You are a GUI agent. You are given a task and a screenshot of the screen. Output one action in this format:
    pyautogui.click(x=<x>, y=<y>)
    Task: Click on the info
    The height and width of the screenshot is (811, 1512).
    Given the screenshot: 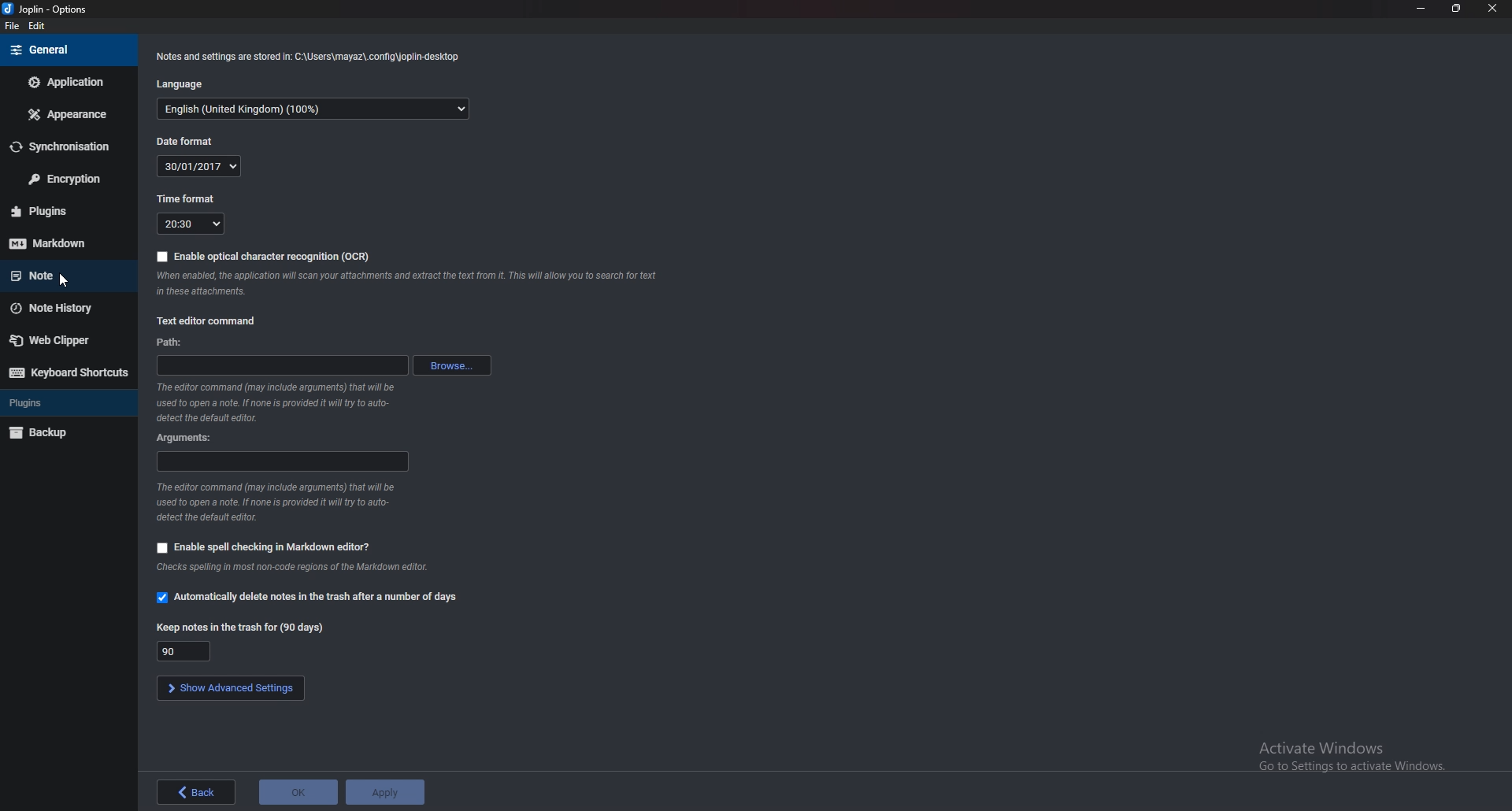 What is the action you would take?
    pyautogui.click(x=409, y=283)
    